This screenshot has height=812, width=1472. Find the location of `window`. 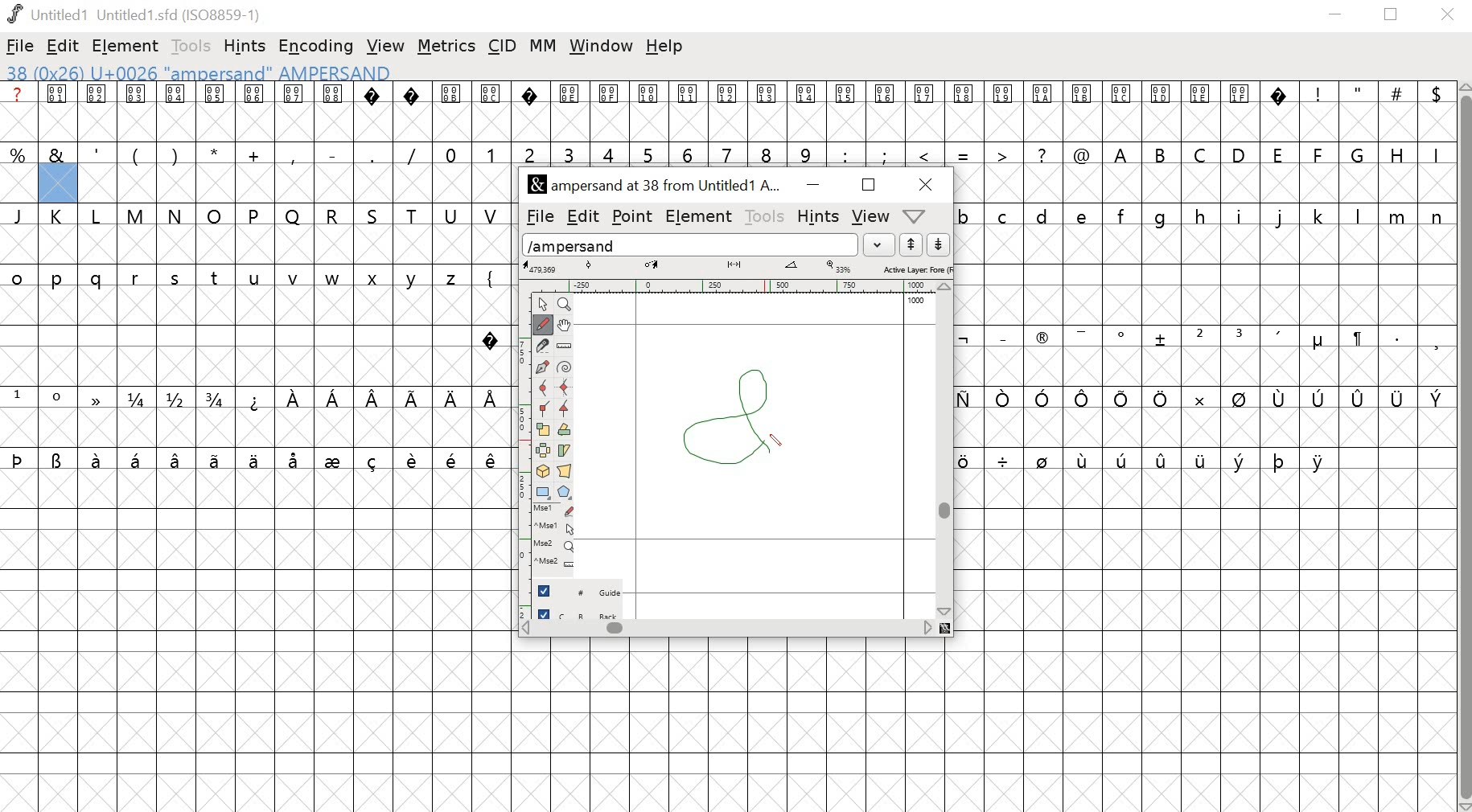

window is located at coordinates (600, 47).